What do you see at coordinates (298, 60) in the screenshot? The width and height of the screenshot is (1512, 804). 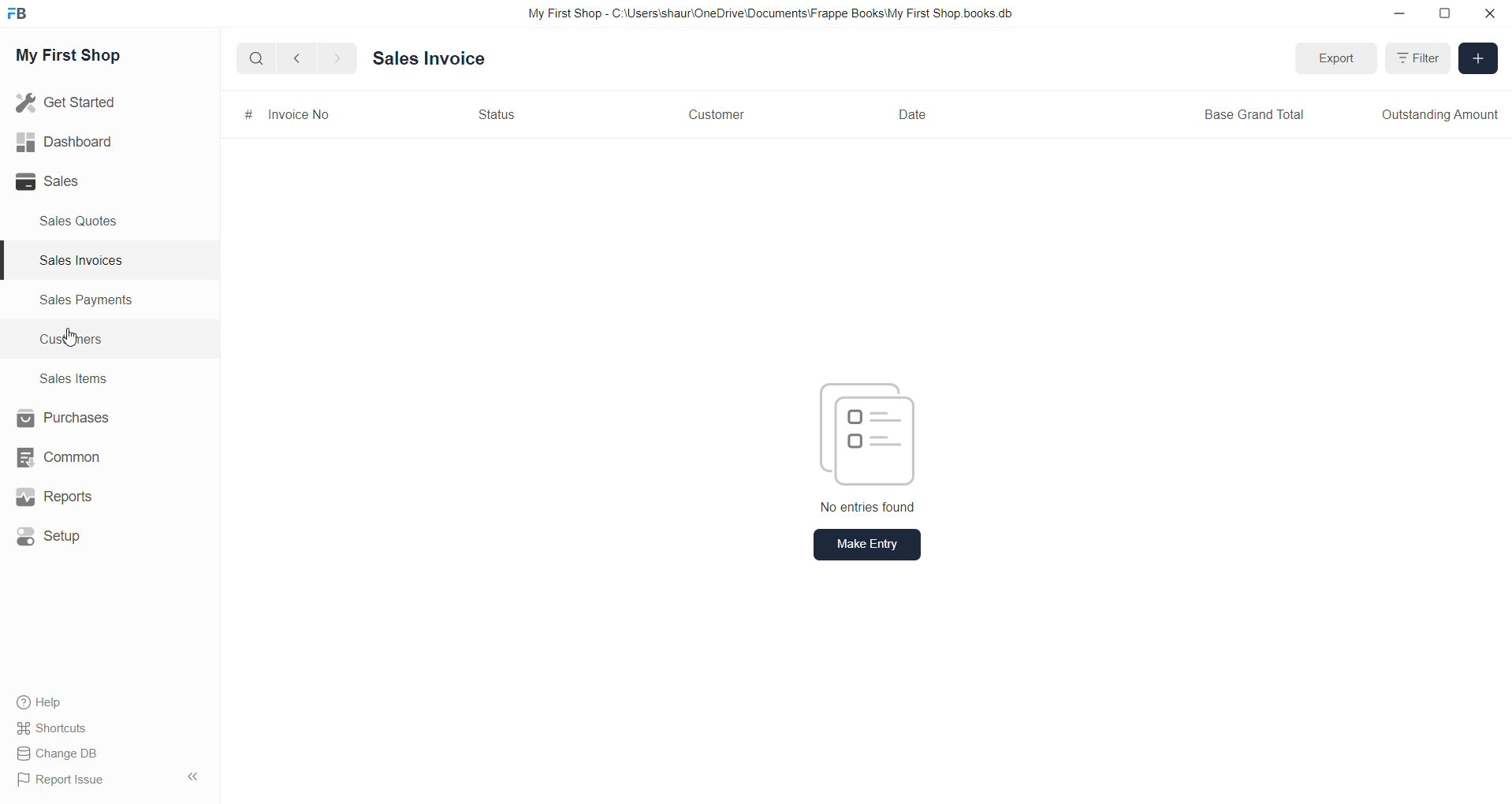 I see `go back` at bounding box center [298, 60].